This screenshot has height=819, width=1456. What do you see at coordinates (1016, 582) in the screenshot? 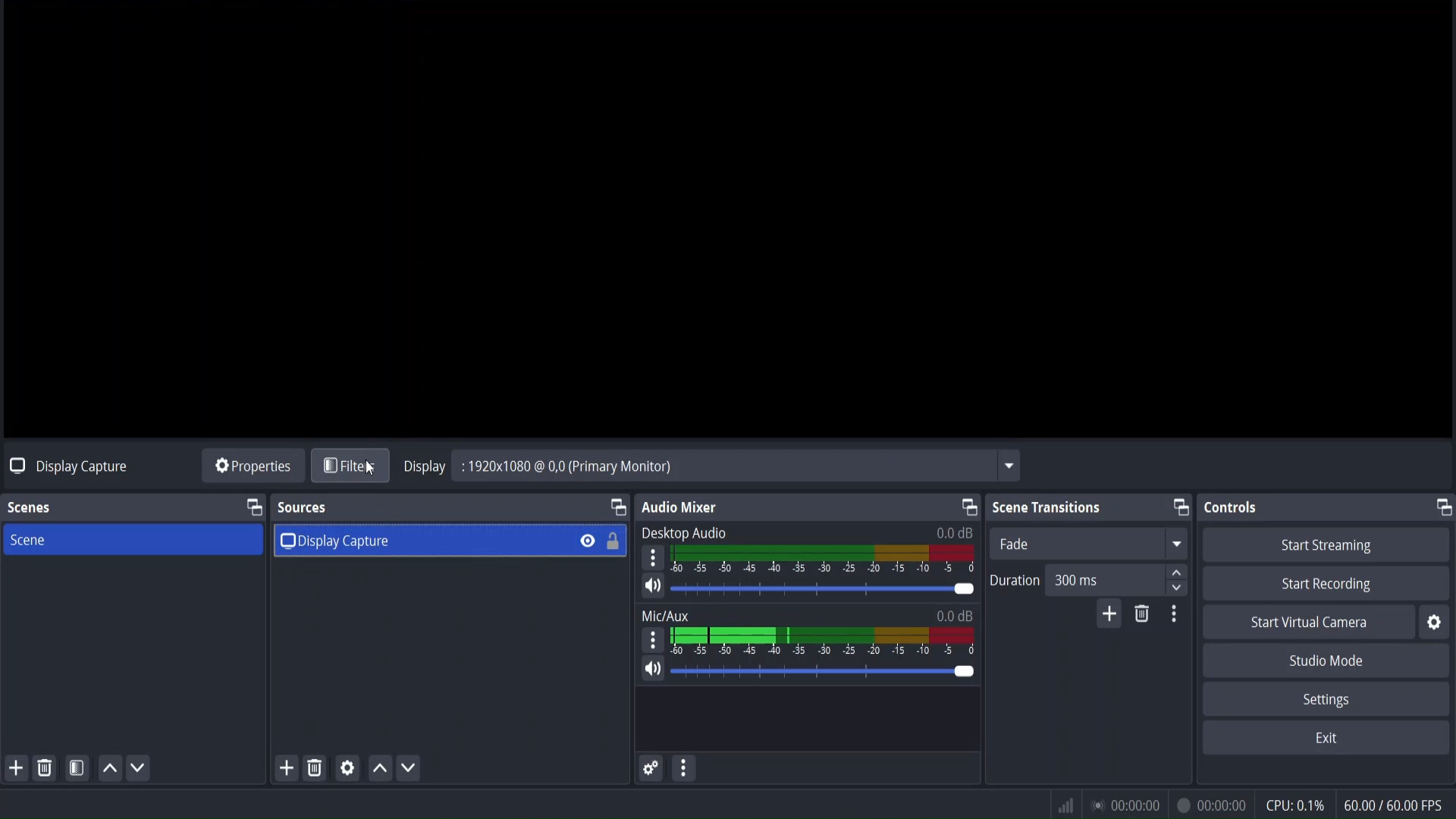
I see `Duration` at bounding box center [1016, 582].